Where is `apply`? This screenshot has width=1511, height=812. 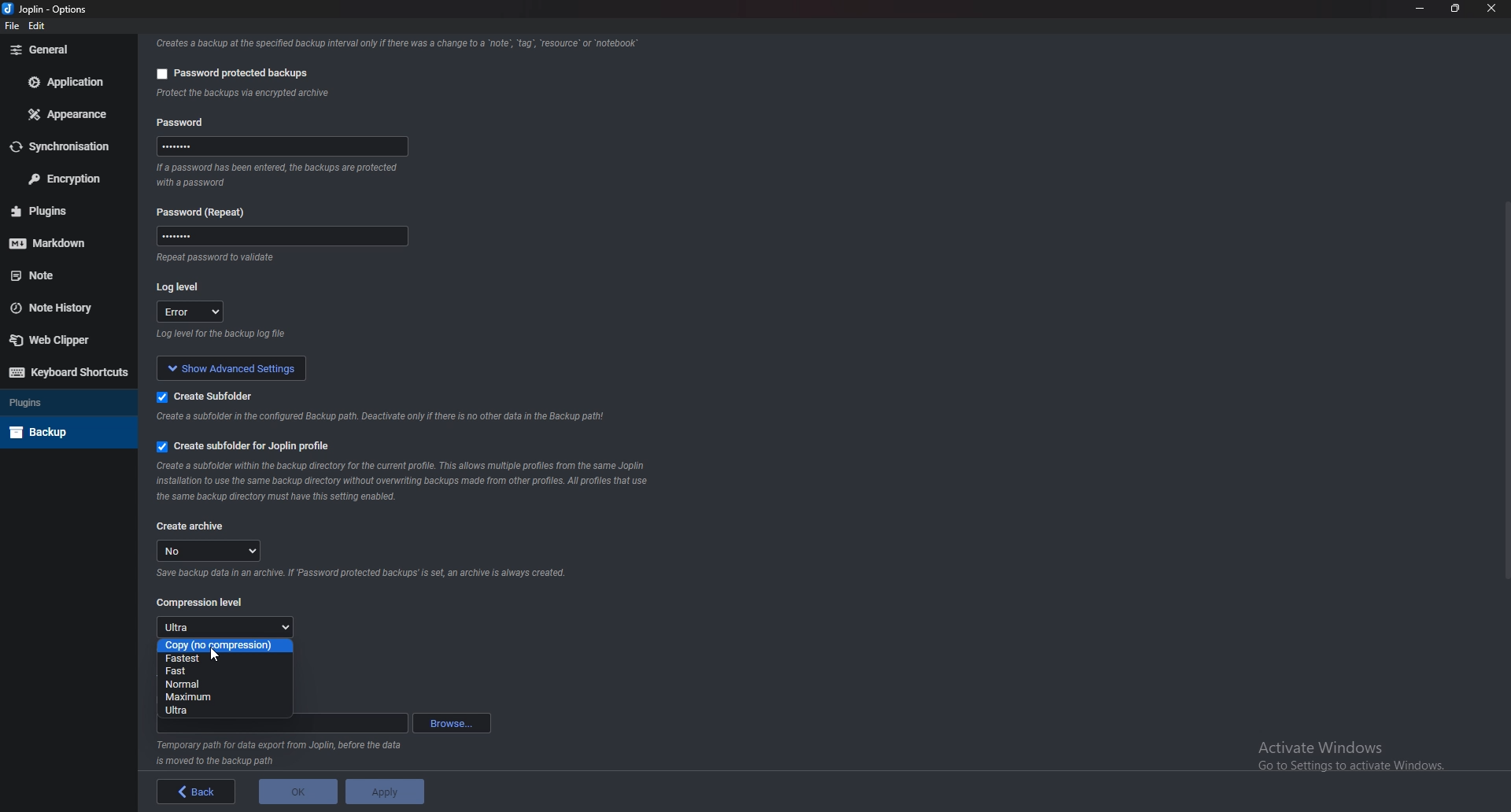
apply is located at coordinates (386, 792).